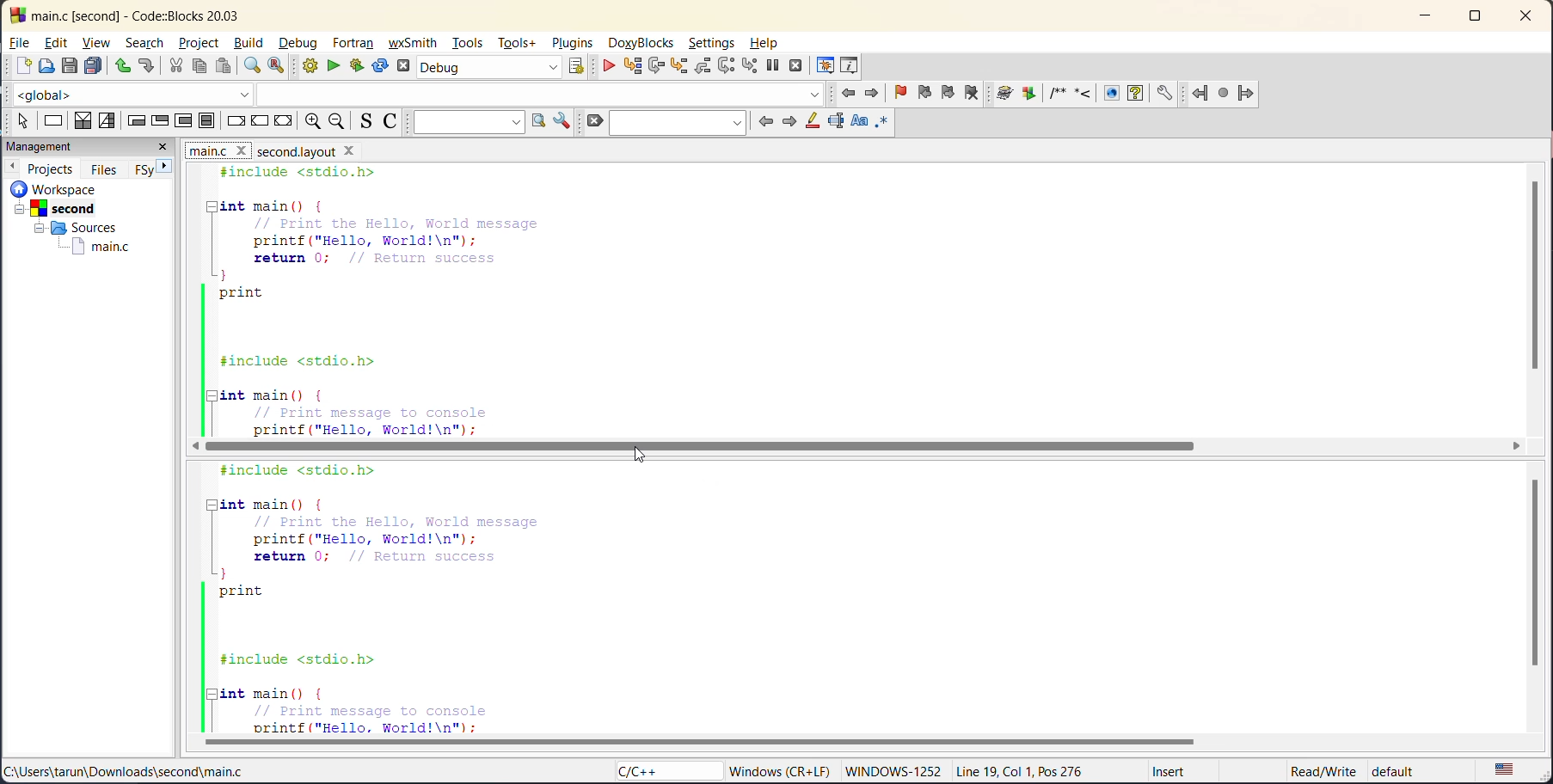 The image size is (1553, 784). What do you see at coordinates (701, 446) in the screenshot?
I see `horizontal scroll bar` at bounding box center [701, 446].